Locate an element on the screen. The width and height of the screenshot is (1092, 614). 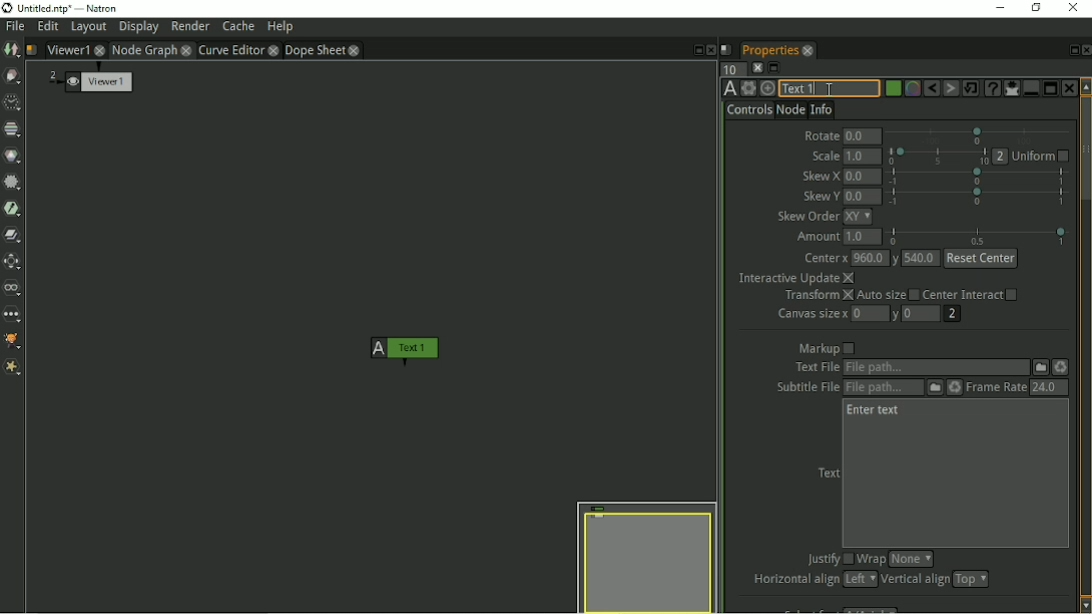
Script name is located at coordinates (726, 50).